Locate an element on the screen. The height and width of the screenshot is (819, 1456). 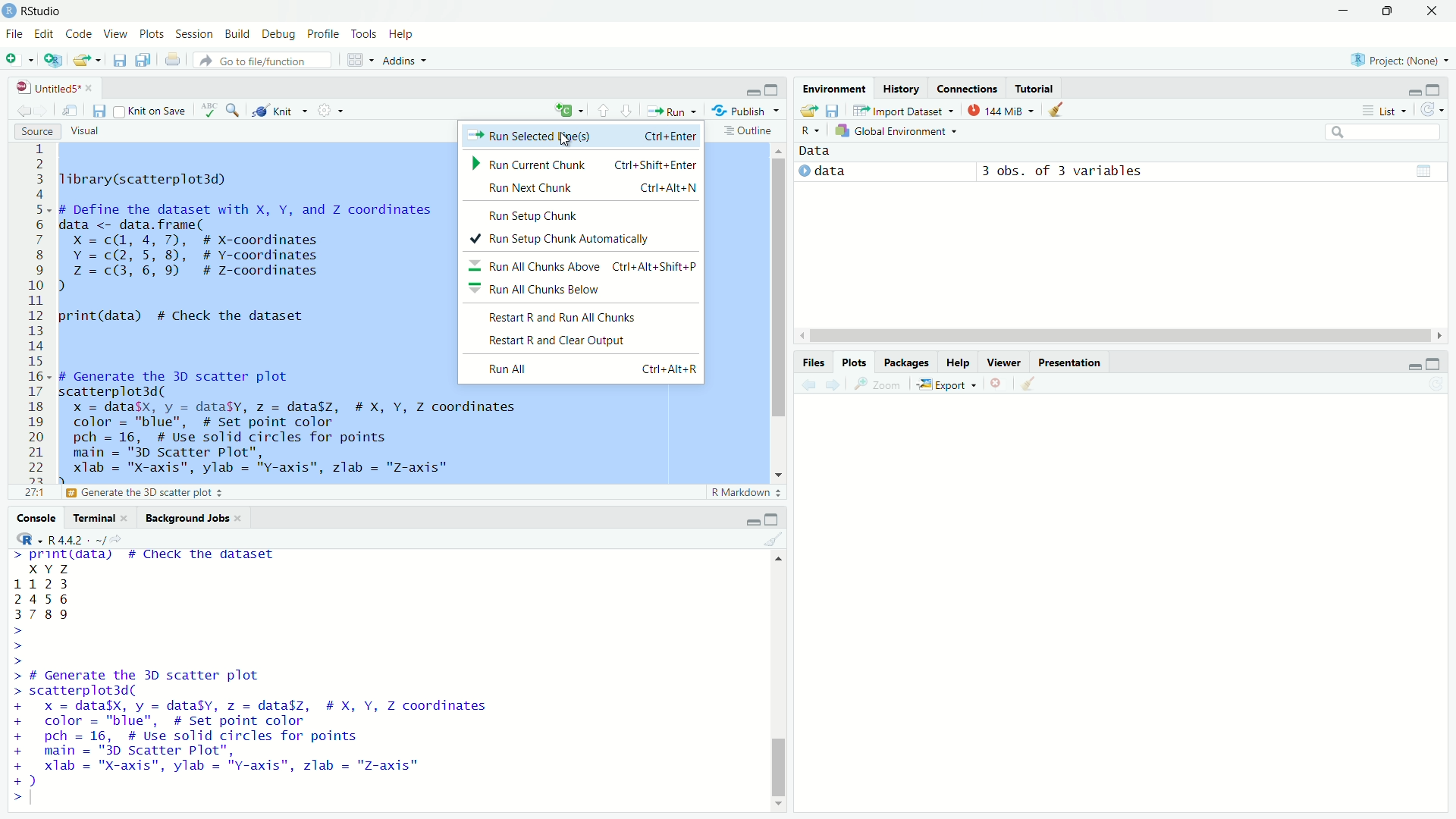
find/replace is located at coordinates (234, 111).